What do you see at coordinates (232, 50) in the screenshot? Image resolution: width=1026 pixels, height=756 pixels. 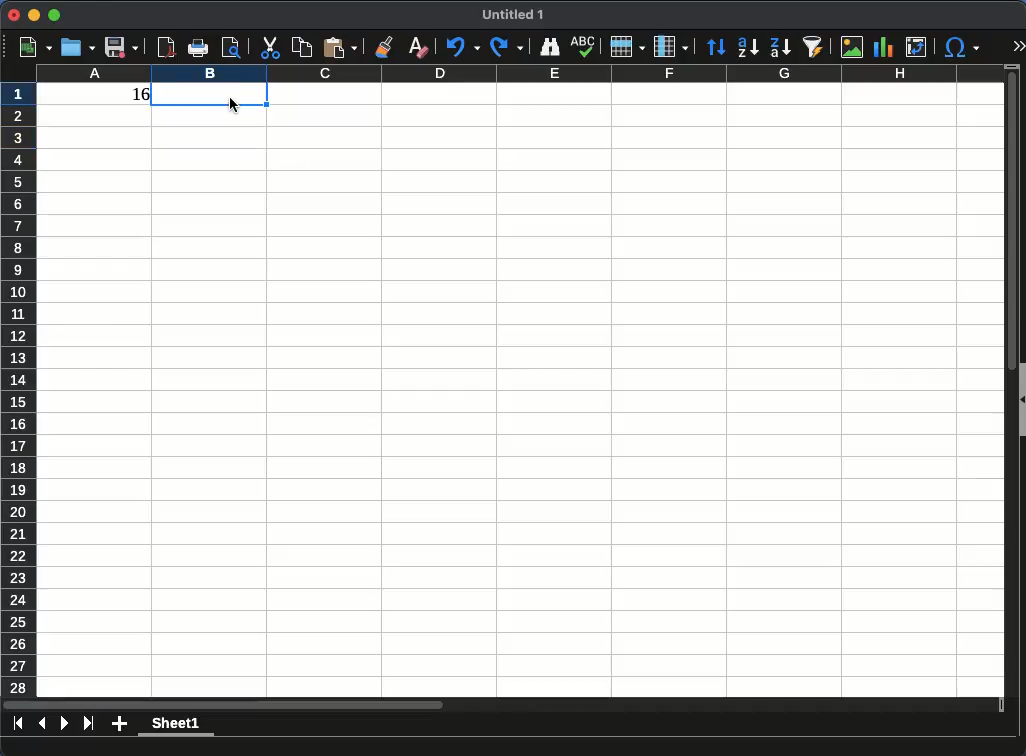 I see `print preview` at bounding box center [232, 50].